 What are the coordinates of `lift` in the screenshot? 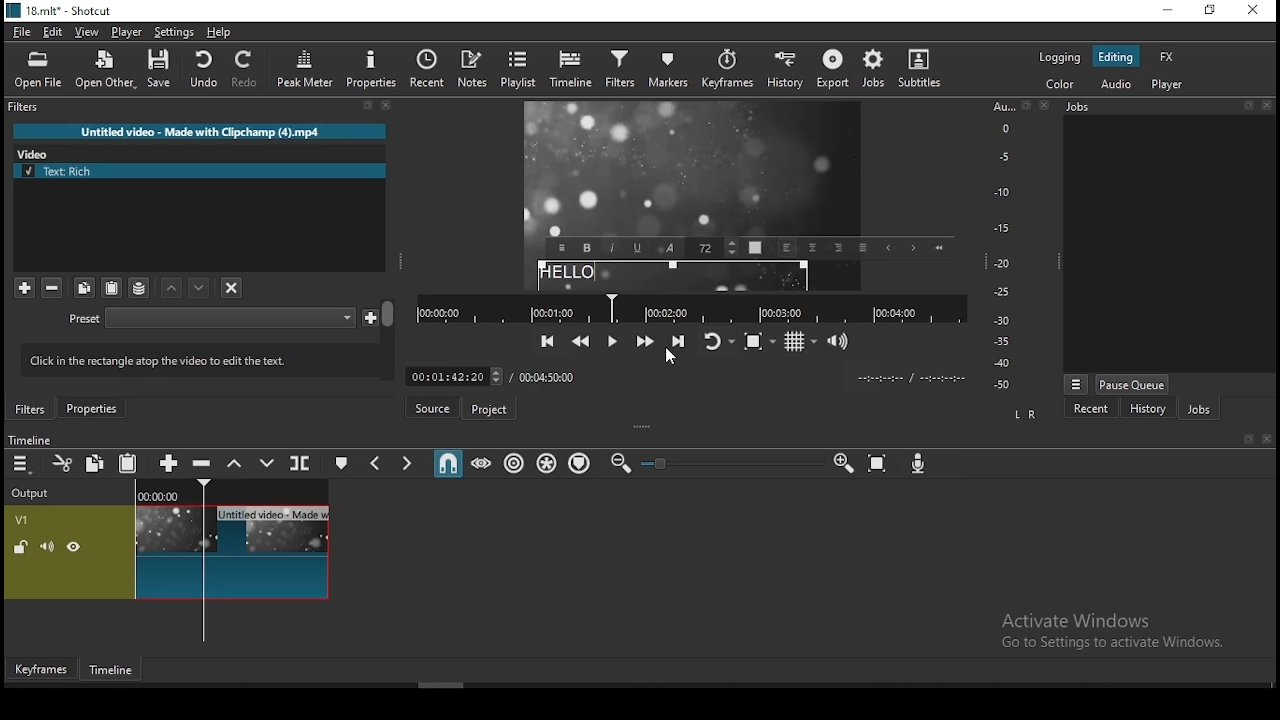 It's located at (235, 462).